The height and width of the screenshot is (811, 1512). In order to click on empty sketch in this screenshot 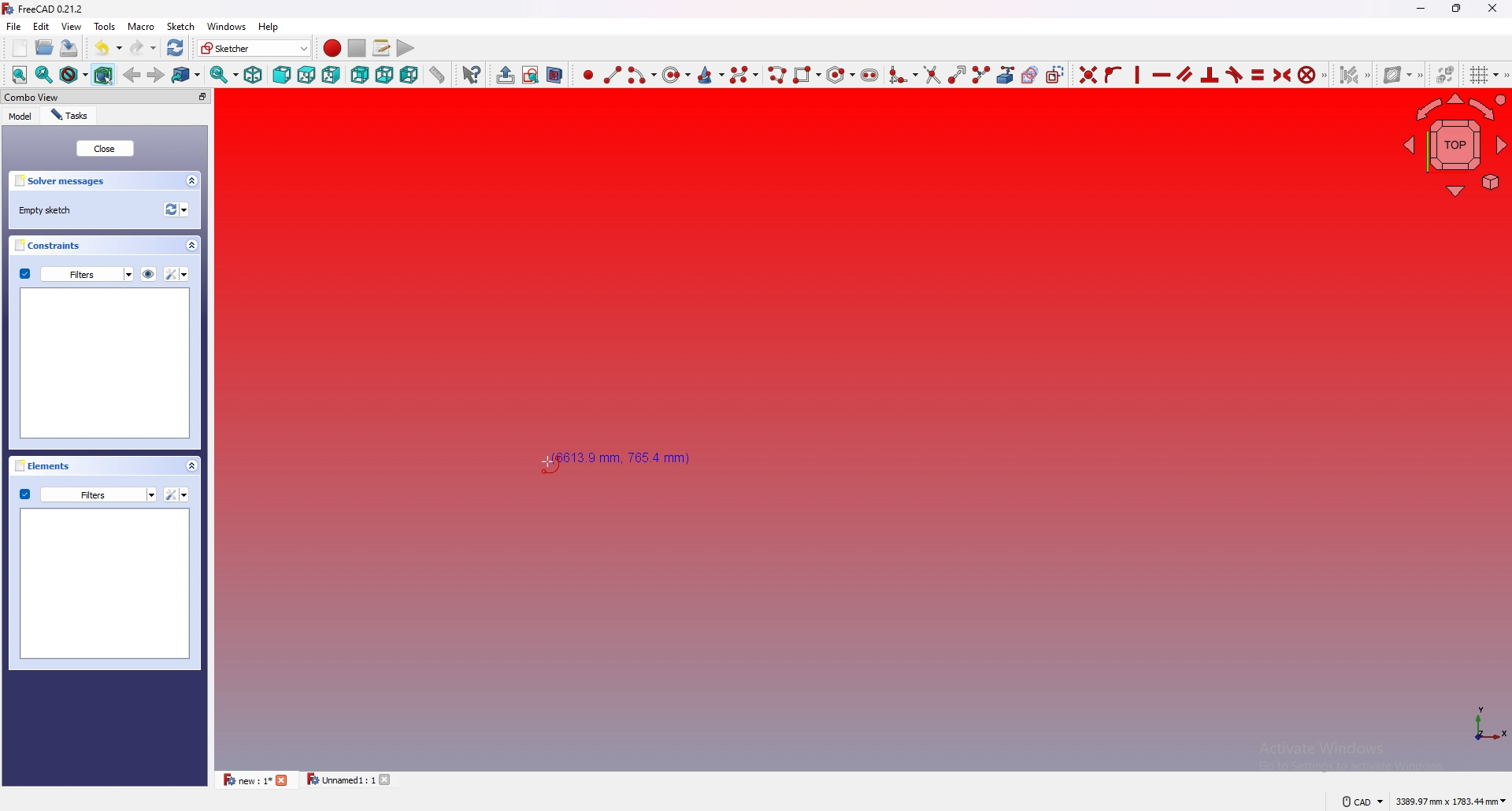, I will do `click(49, 210)`.